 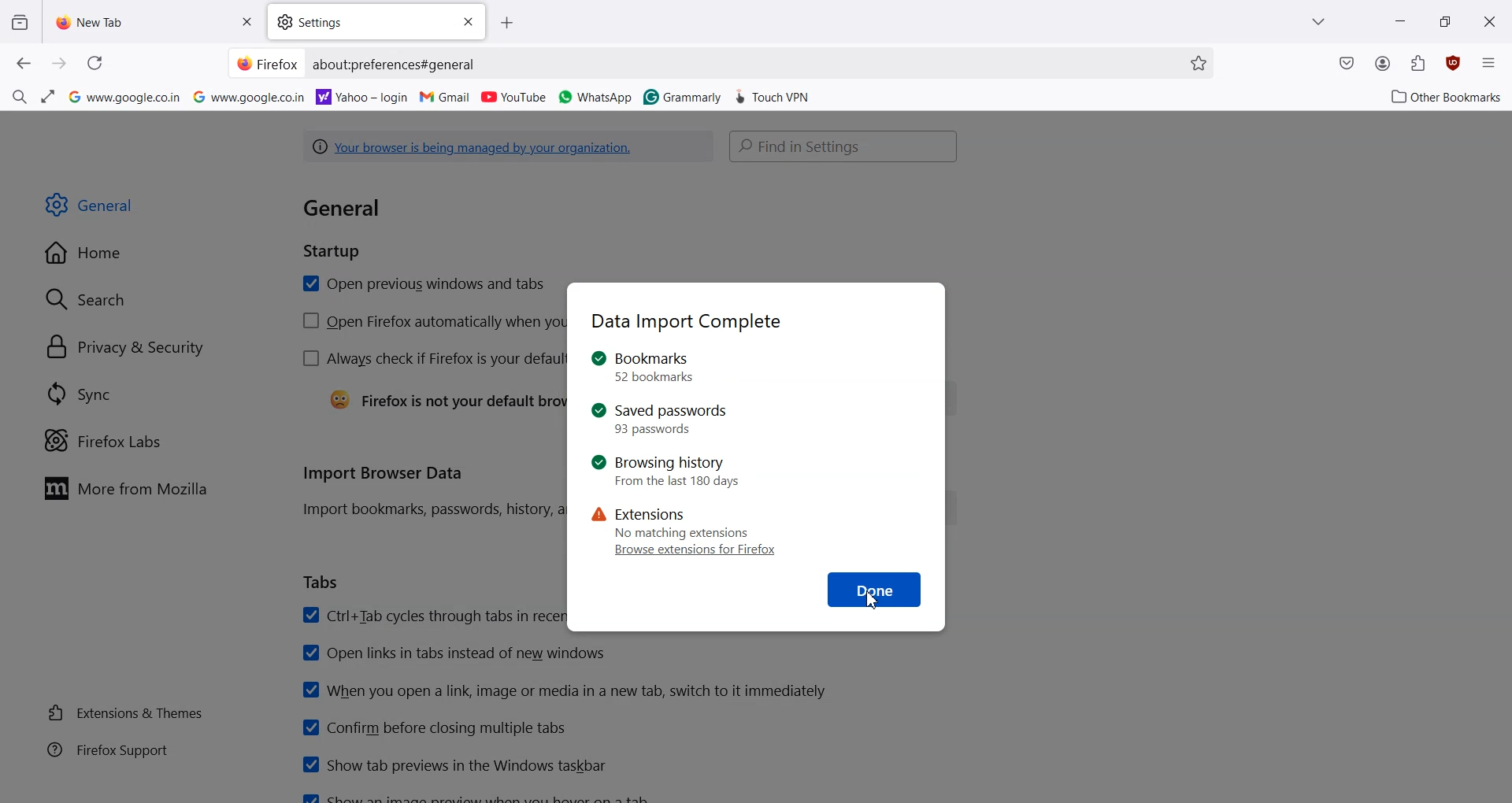 What do you see at coordinates (447, 97) in the screenshot?
I see `Gmail Bookmark` at bounding box center [447, 97].